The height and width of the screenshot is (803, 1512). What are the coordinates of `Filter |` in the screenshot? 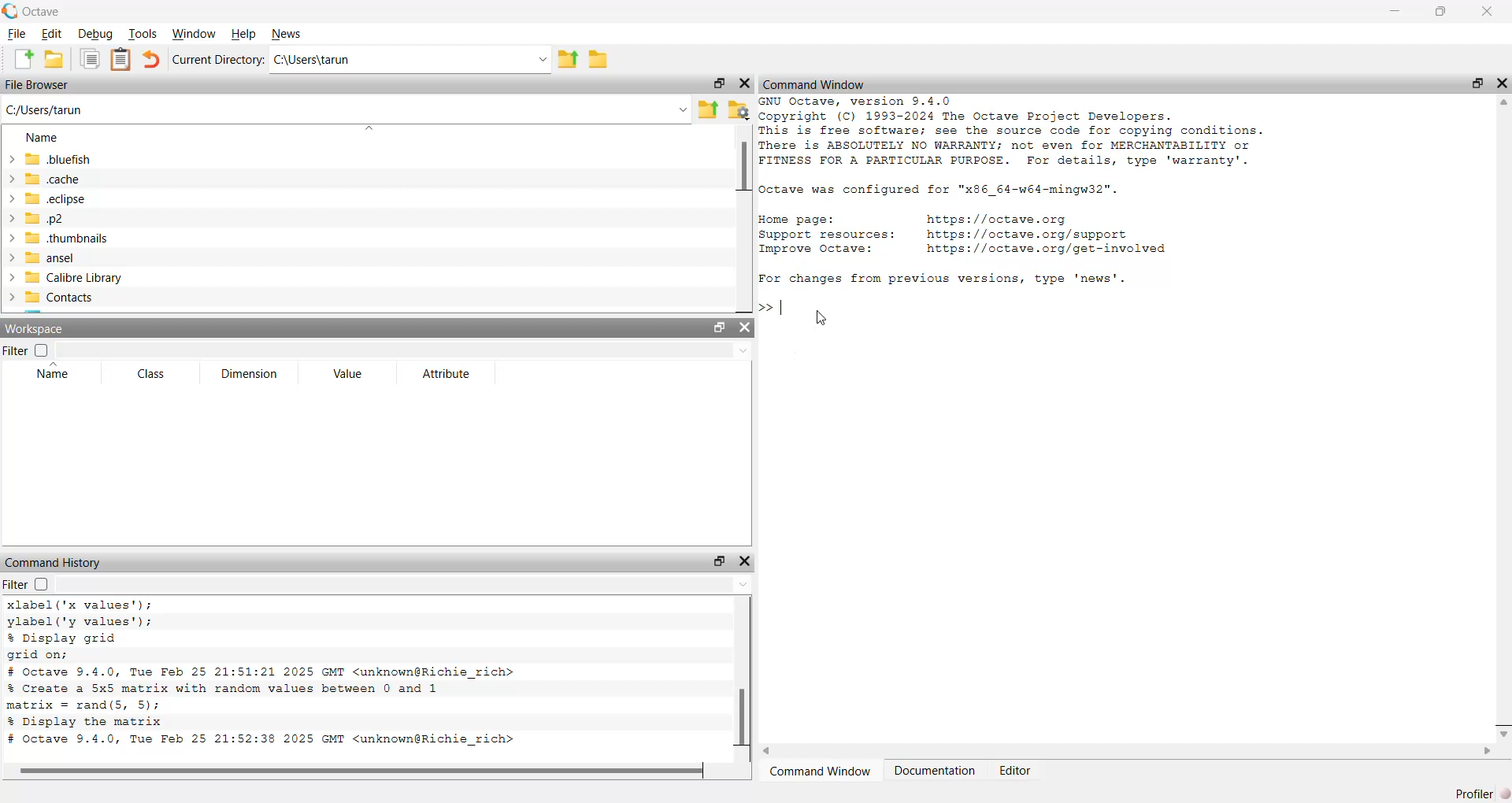 It's located at (20, 352).